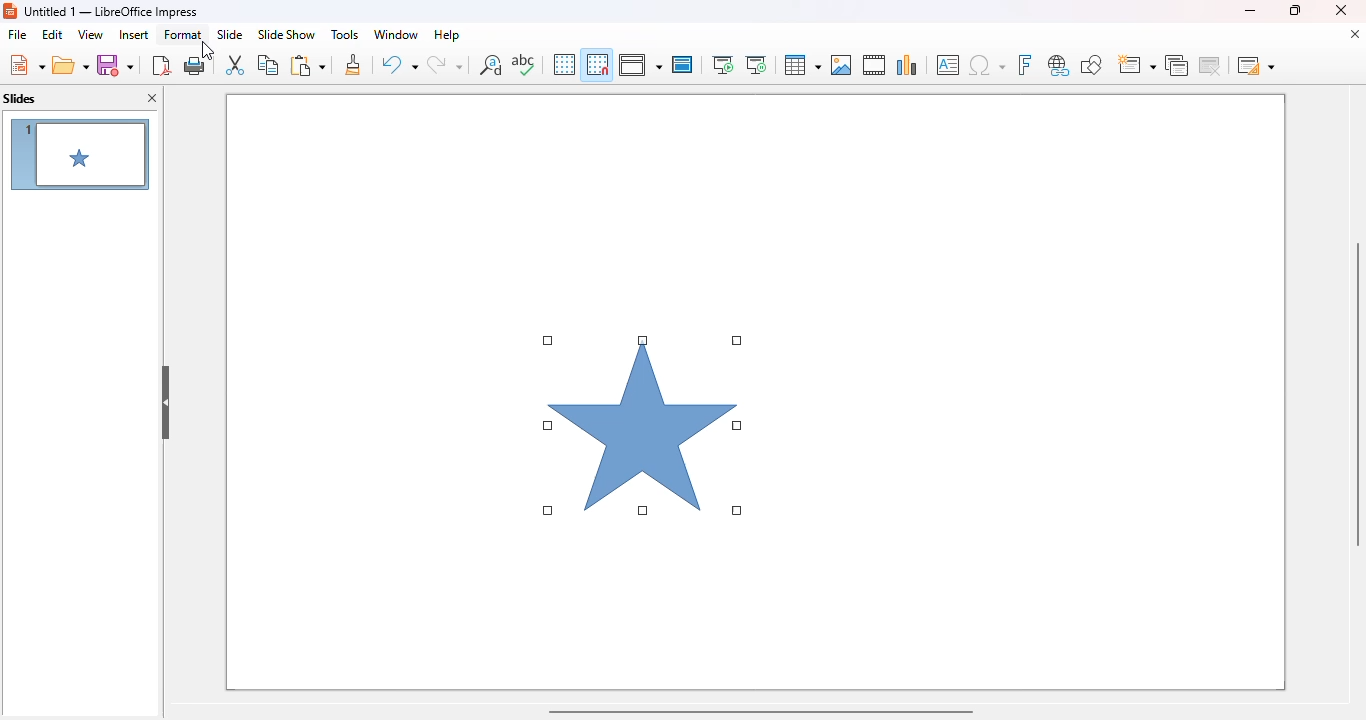 The height and width of the screenshot is (720, 1366). Describe the element at coordinates (907, 64) in the screenshot. I see `insert chart` at that location.